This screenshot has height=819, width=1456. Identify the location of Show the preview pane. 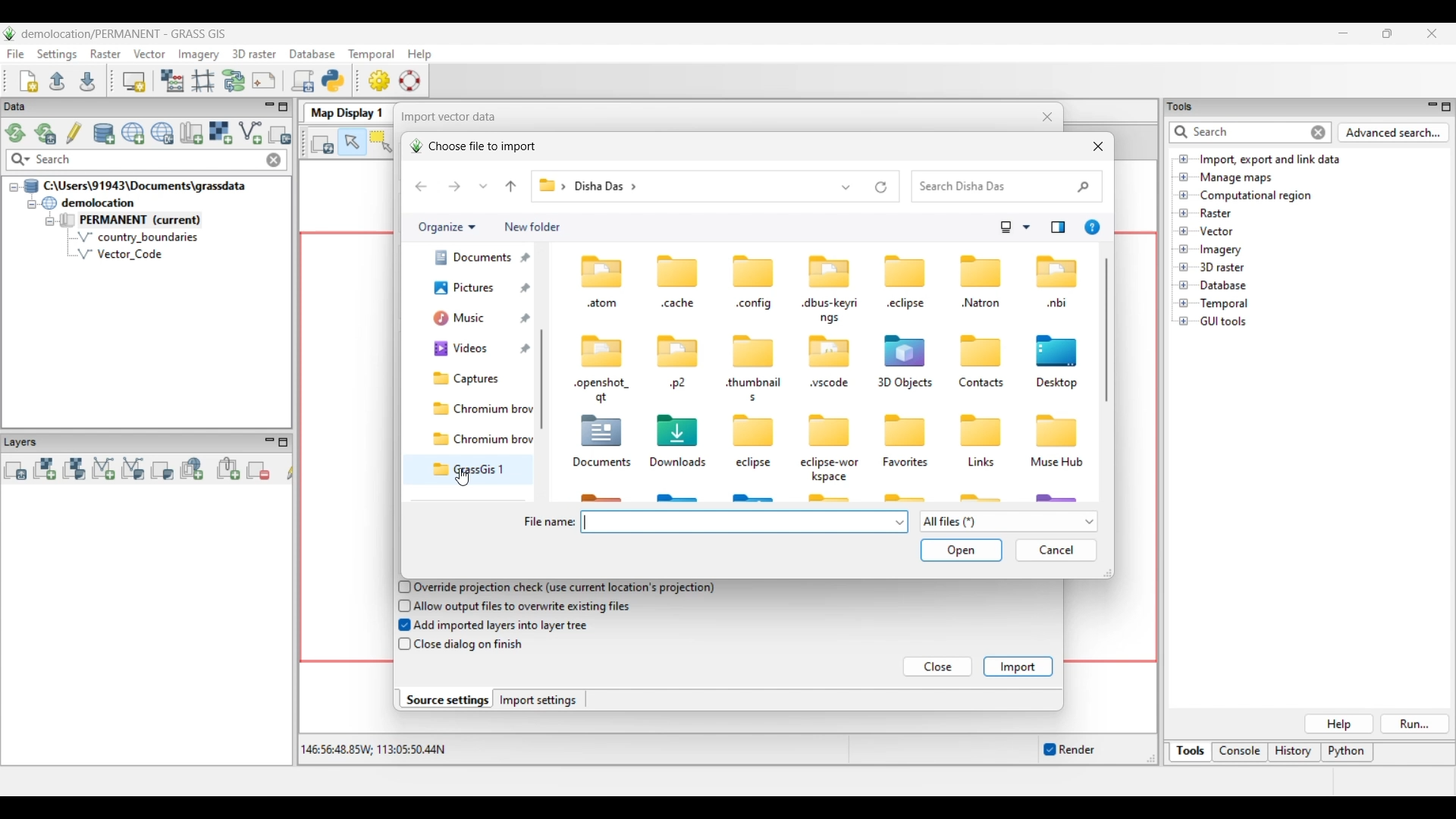
(1058, 227).